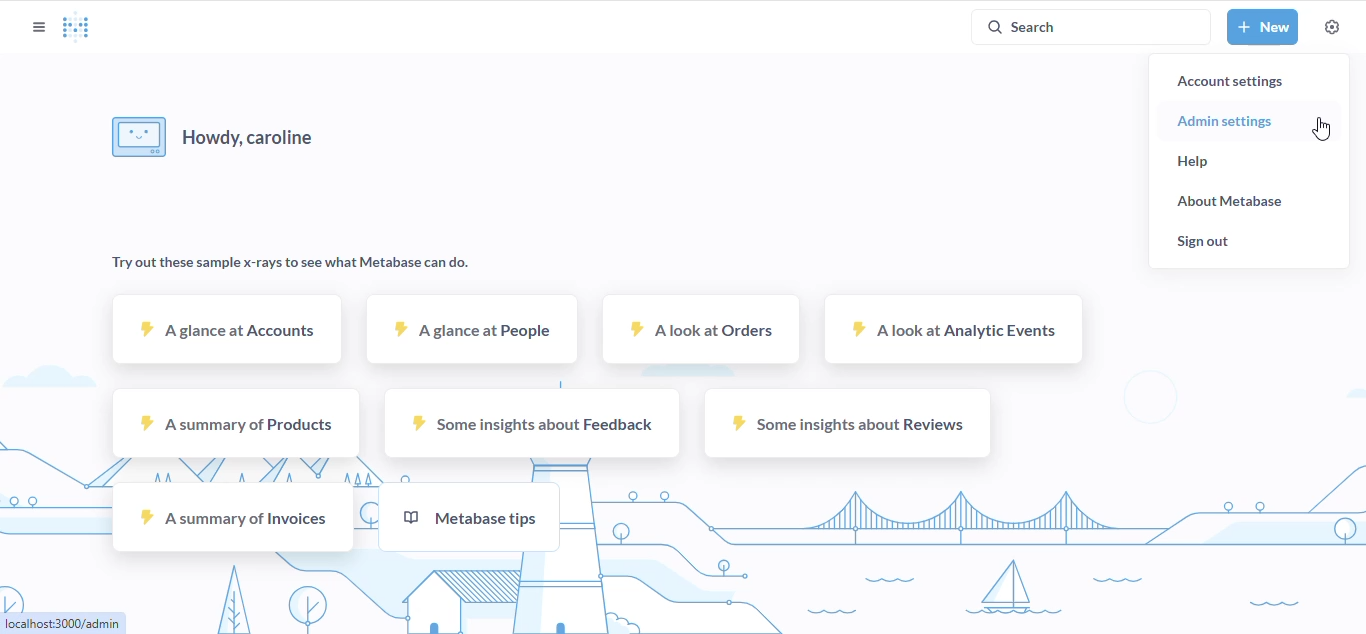 The height and width of the screenshot is (634, 1366). Describe the element at coordinates (468, 518) in the screenshot. I see `metabase tips` at that location.